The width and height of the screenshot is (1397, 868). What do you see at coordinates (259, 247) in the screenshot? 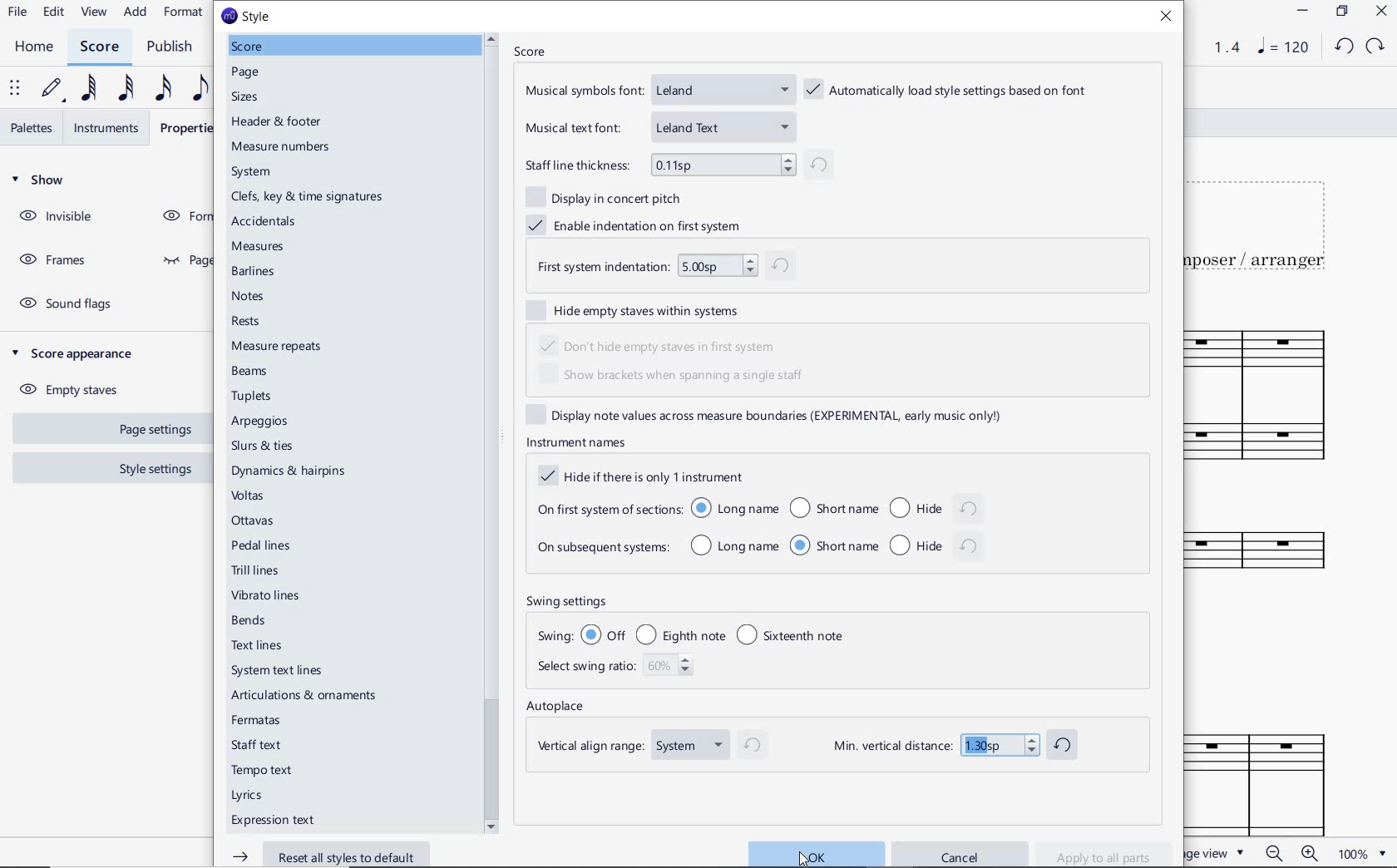
I see `measures` at bounding box center [259, 247].